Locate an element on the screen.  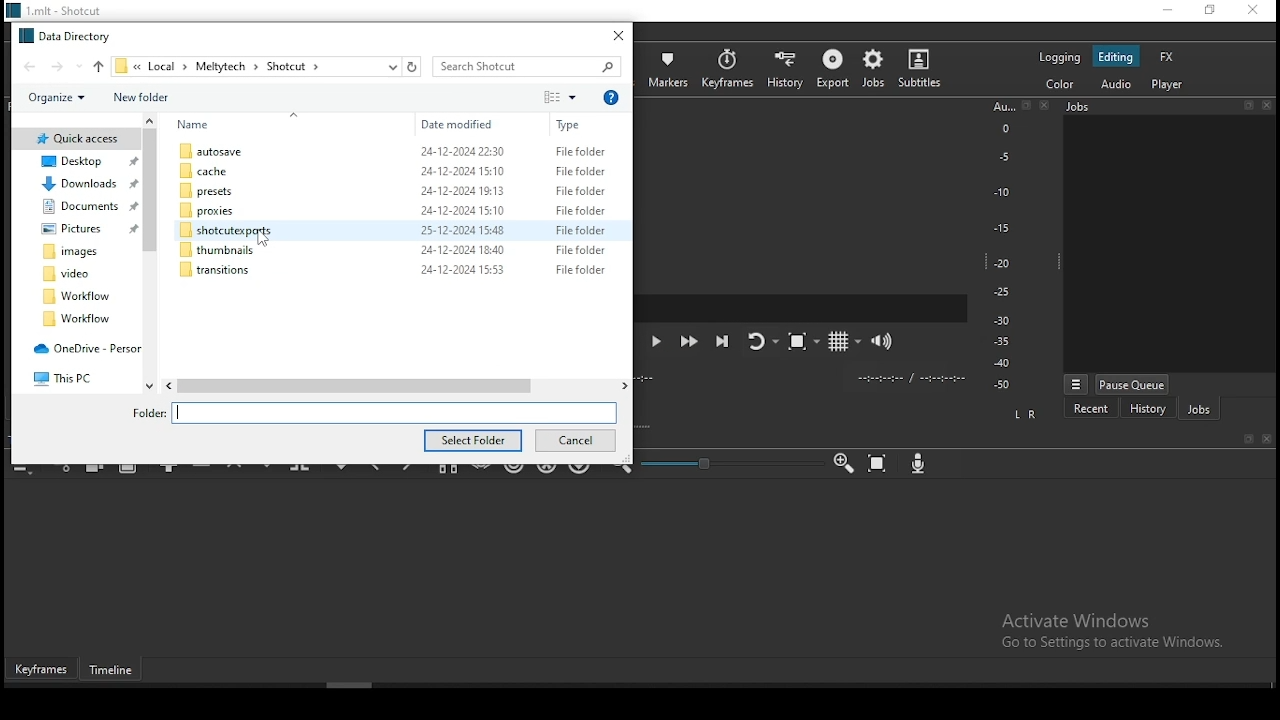
local folder is located at coordinates (74, 229).